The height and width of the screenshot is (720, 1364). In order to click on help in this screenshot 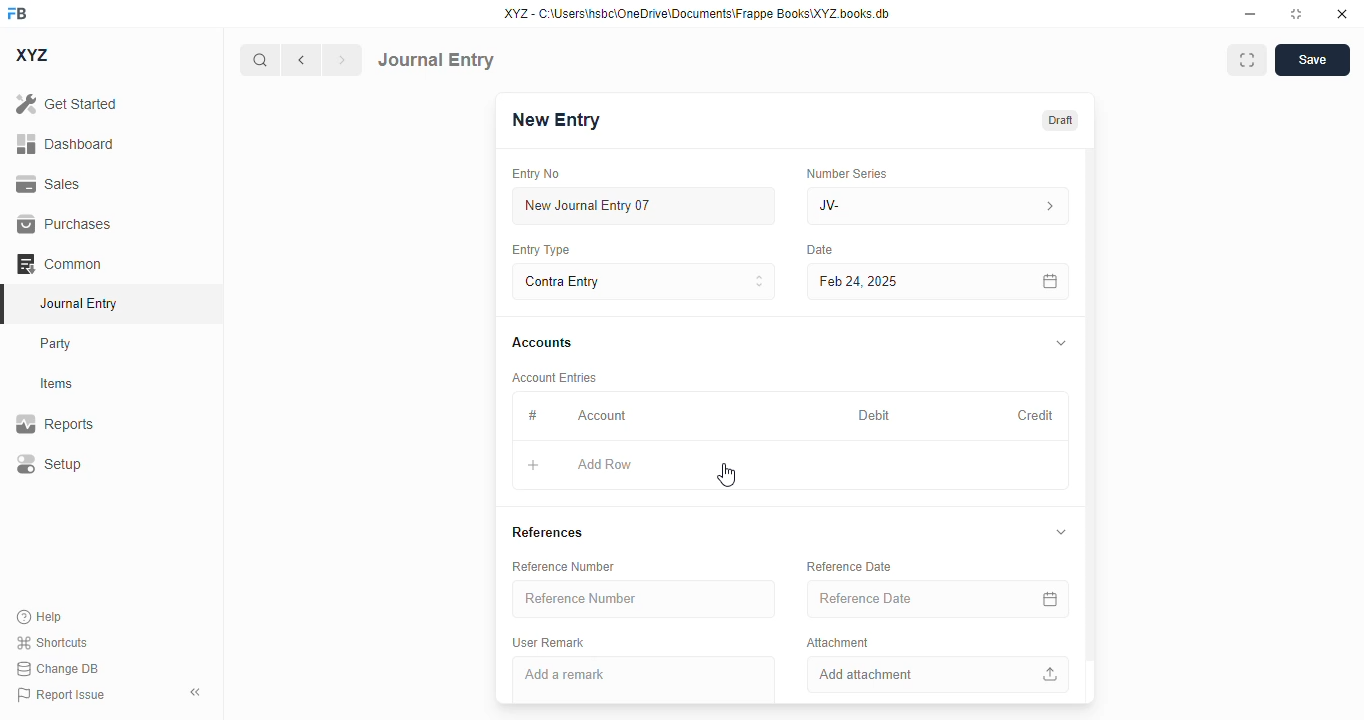, I will do `click(40, 617)`.